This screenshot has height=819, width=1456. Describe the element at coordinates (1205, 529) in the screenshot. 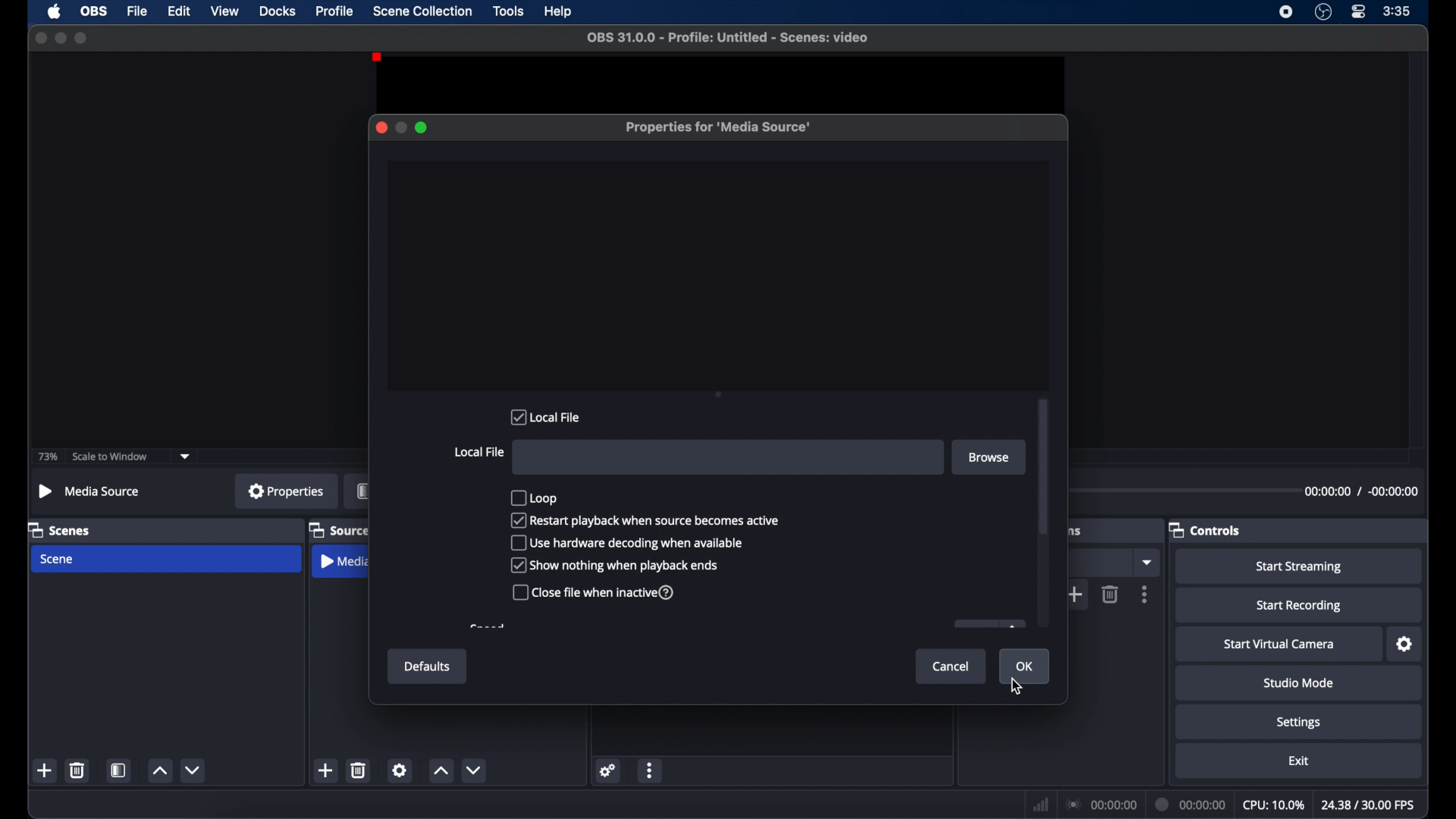

I see `controls` at that location.